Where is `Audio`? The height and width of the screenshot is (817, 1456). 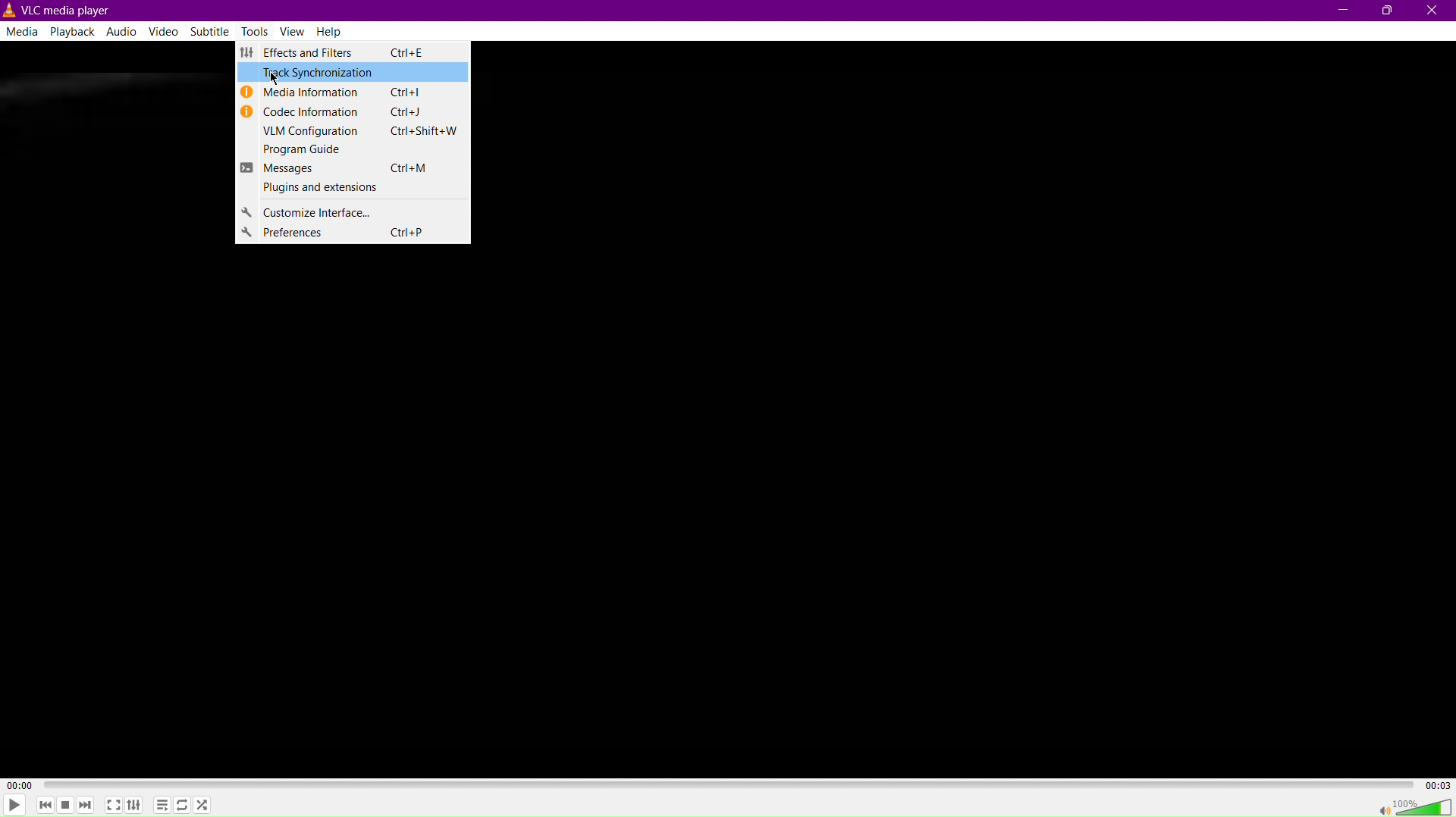 Audio is located at coordinates (124, 31).